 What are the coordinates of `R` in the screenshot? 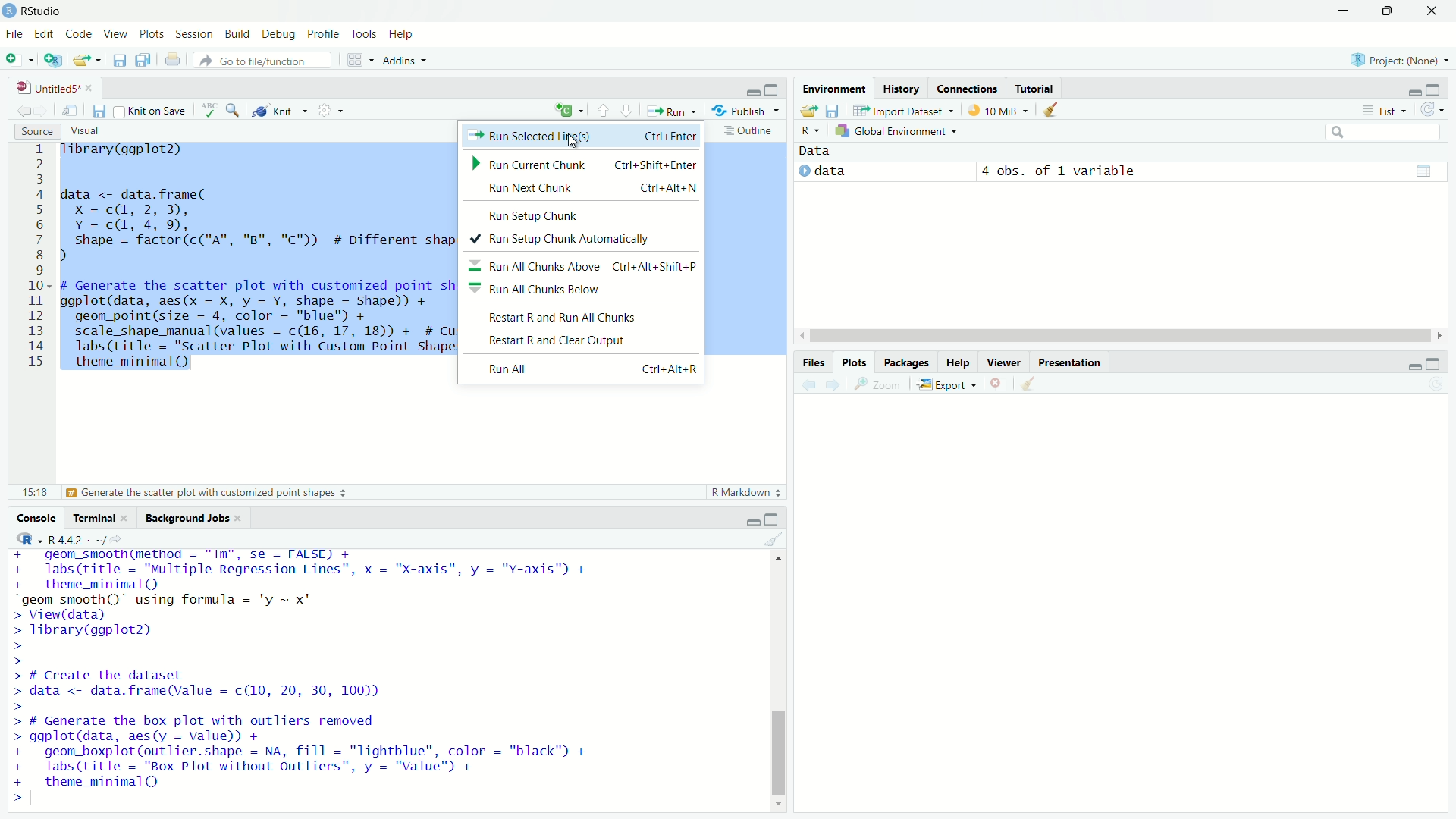 It's located at (811, 132).